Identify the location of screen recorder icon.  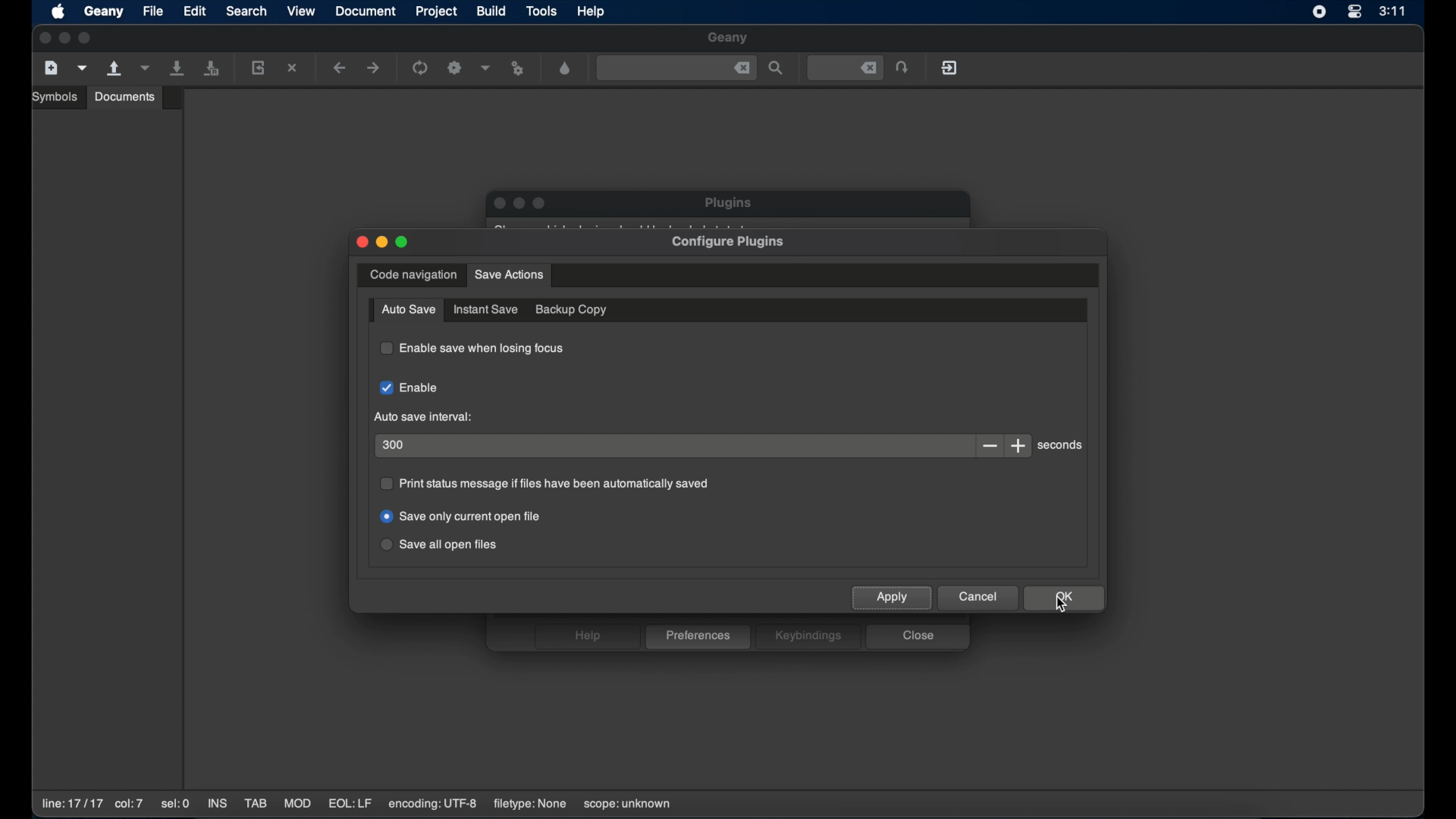
(1319, 12).